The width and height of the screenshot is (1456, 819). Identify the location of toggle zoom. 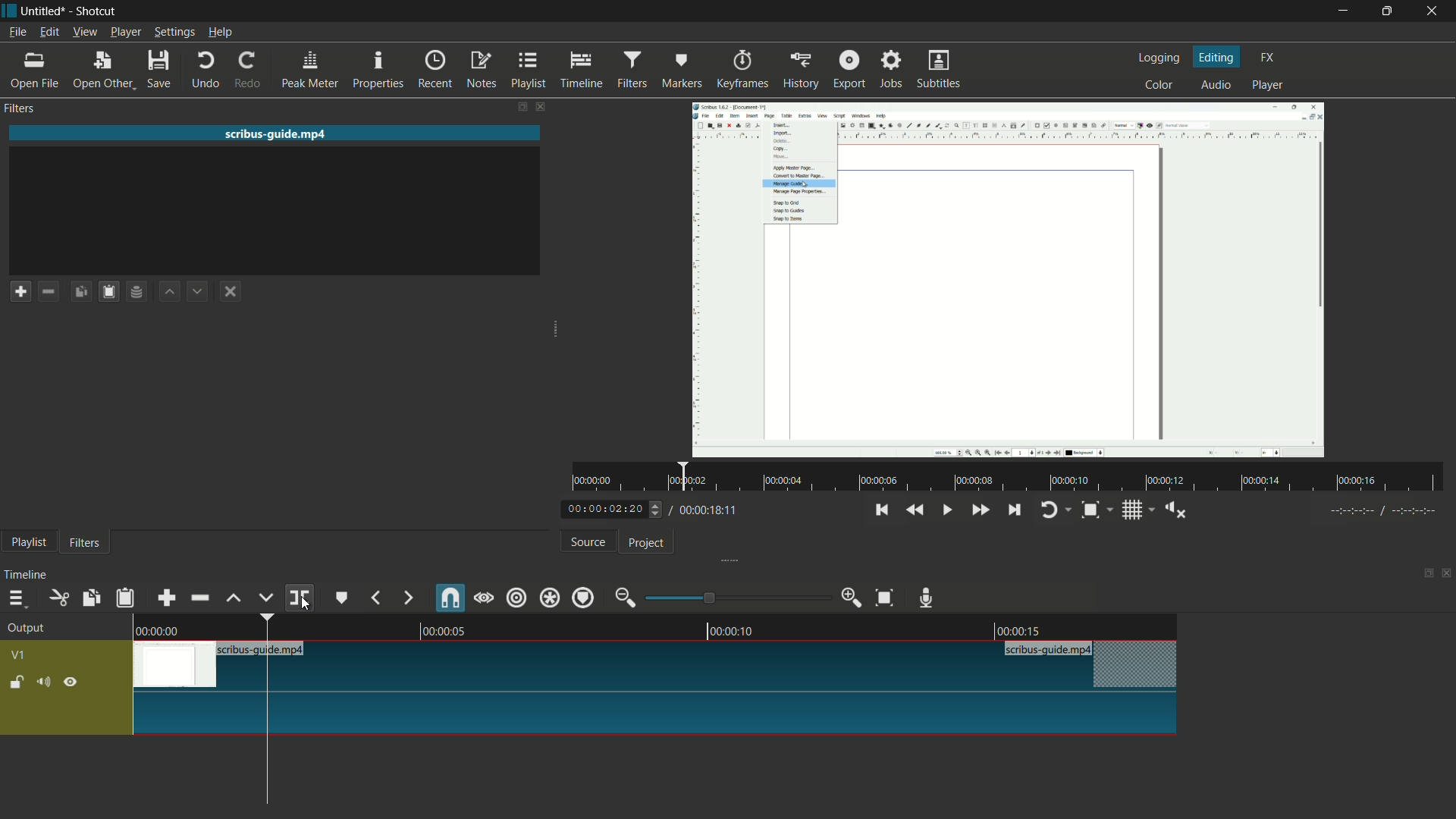
(1090, 510).